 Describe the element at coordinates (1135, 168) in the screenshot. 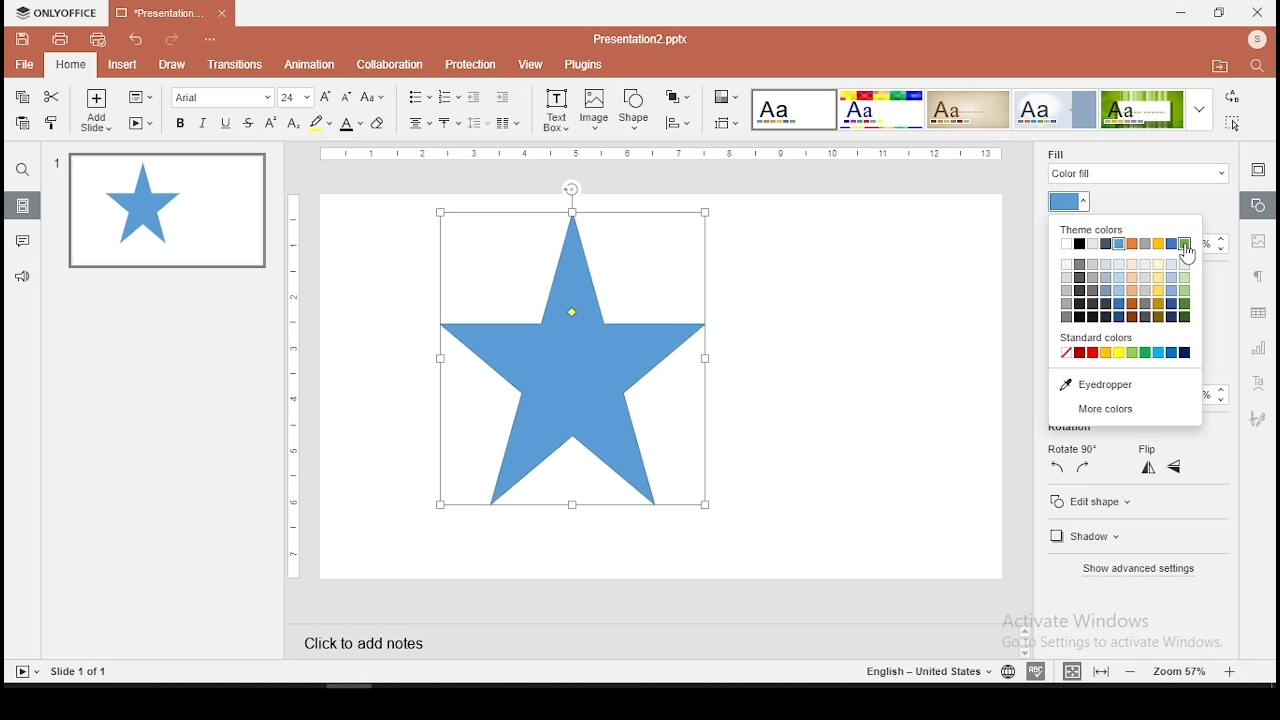

I see `fill` at that location.